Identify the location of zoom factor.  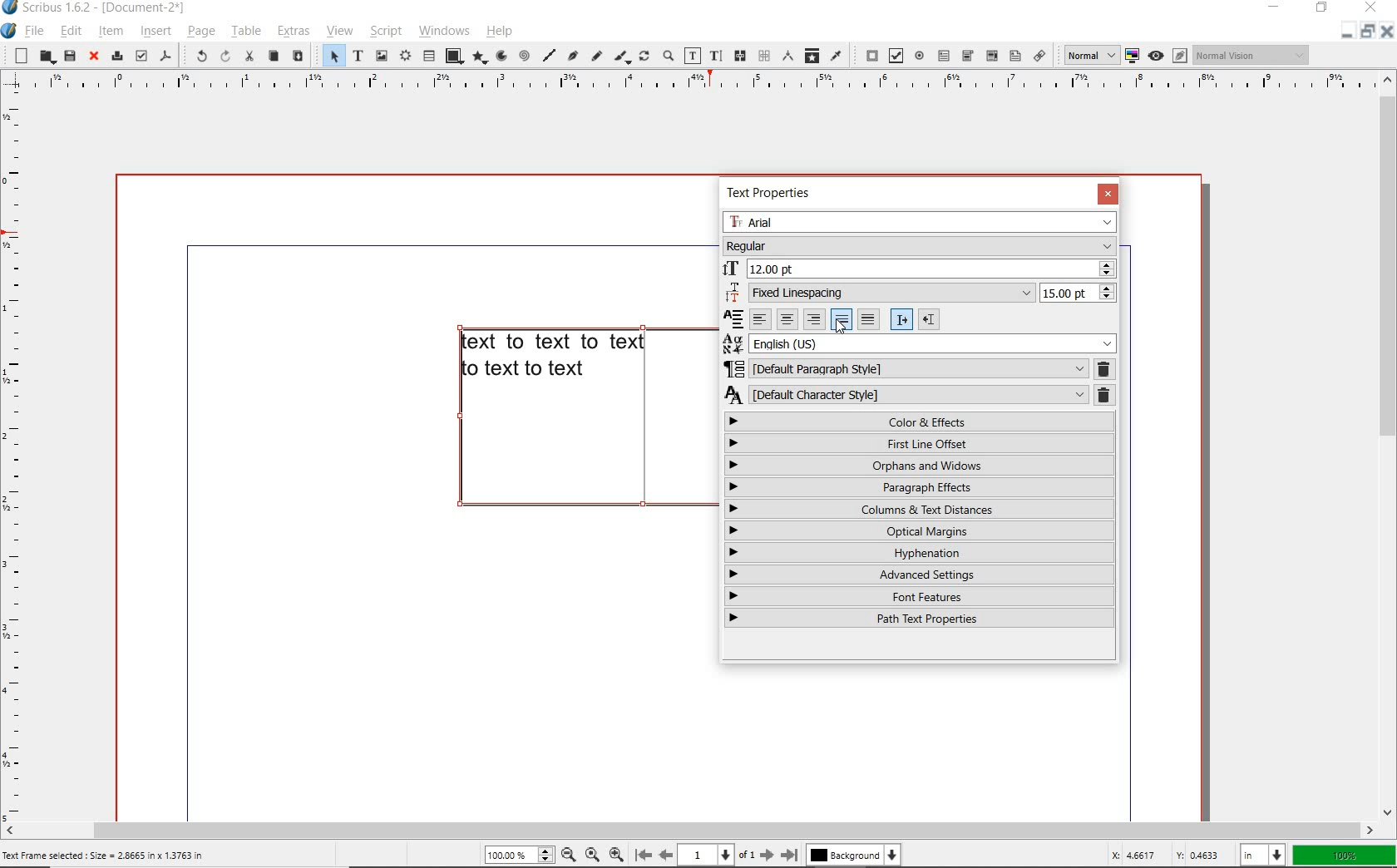
(1343, 854).